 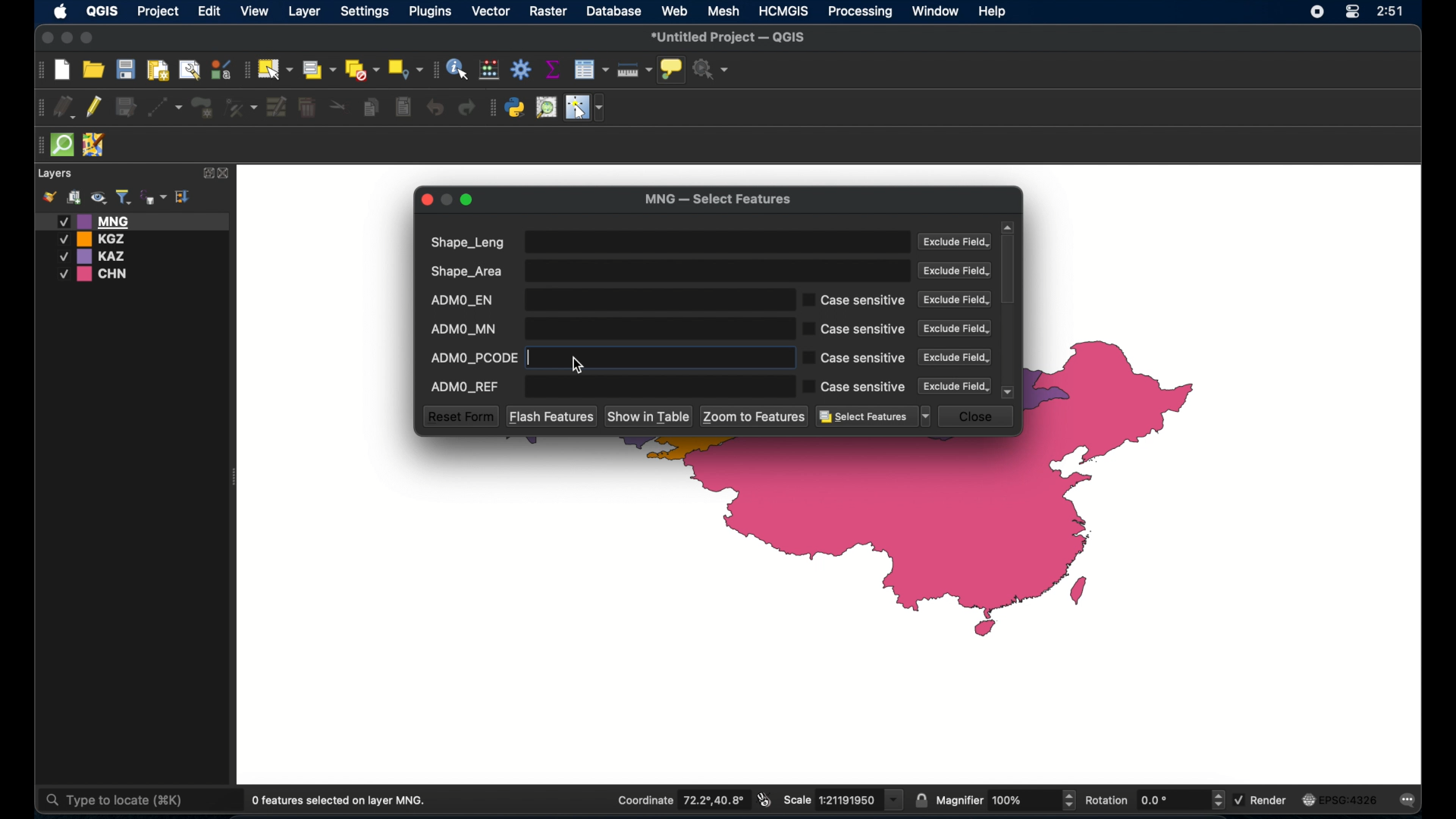 I want to click on exclude field, so click(x=955, y=357).